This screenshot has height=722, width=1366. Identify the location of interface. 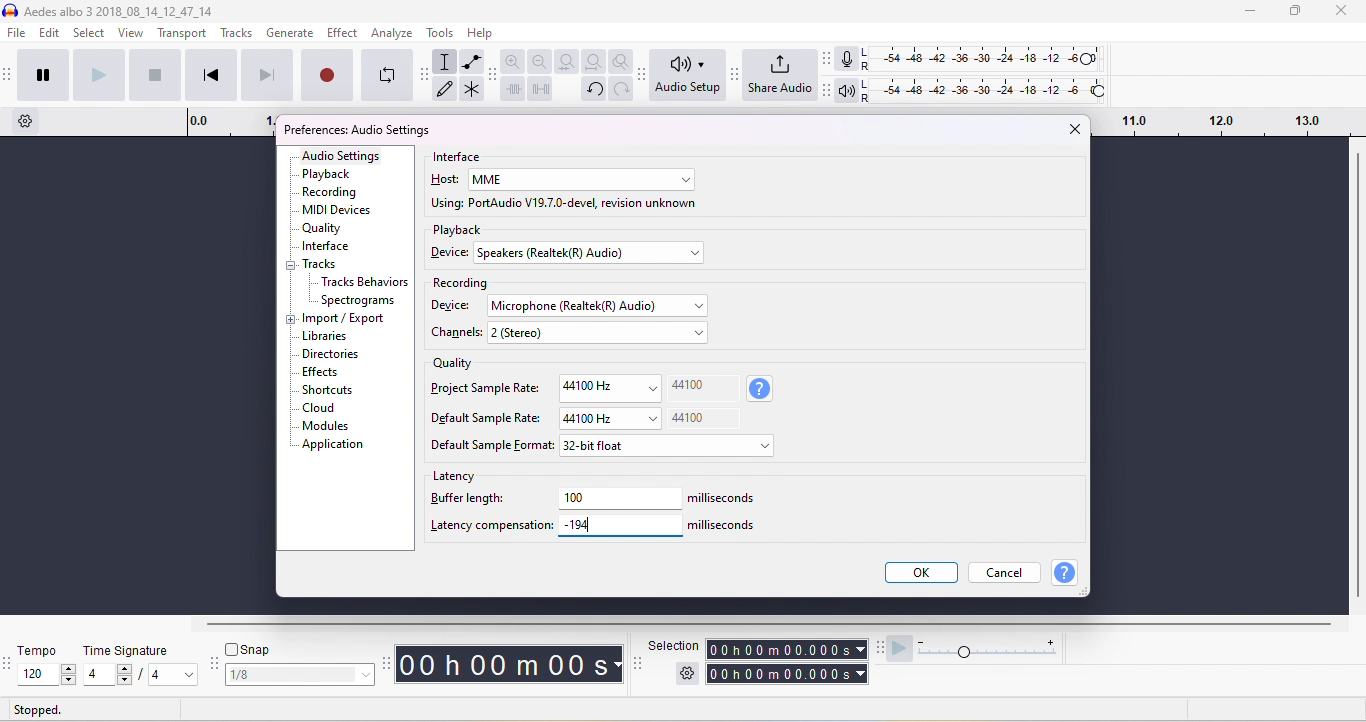
(459, 157).